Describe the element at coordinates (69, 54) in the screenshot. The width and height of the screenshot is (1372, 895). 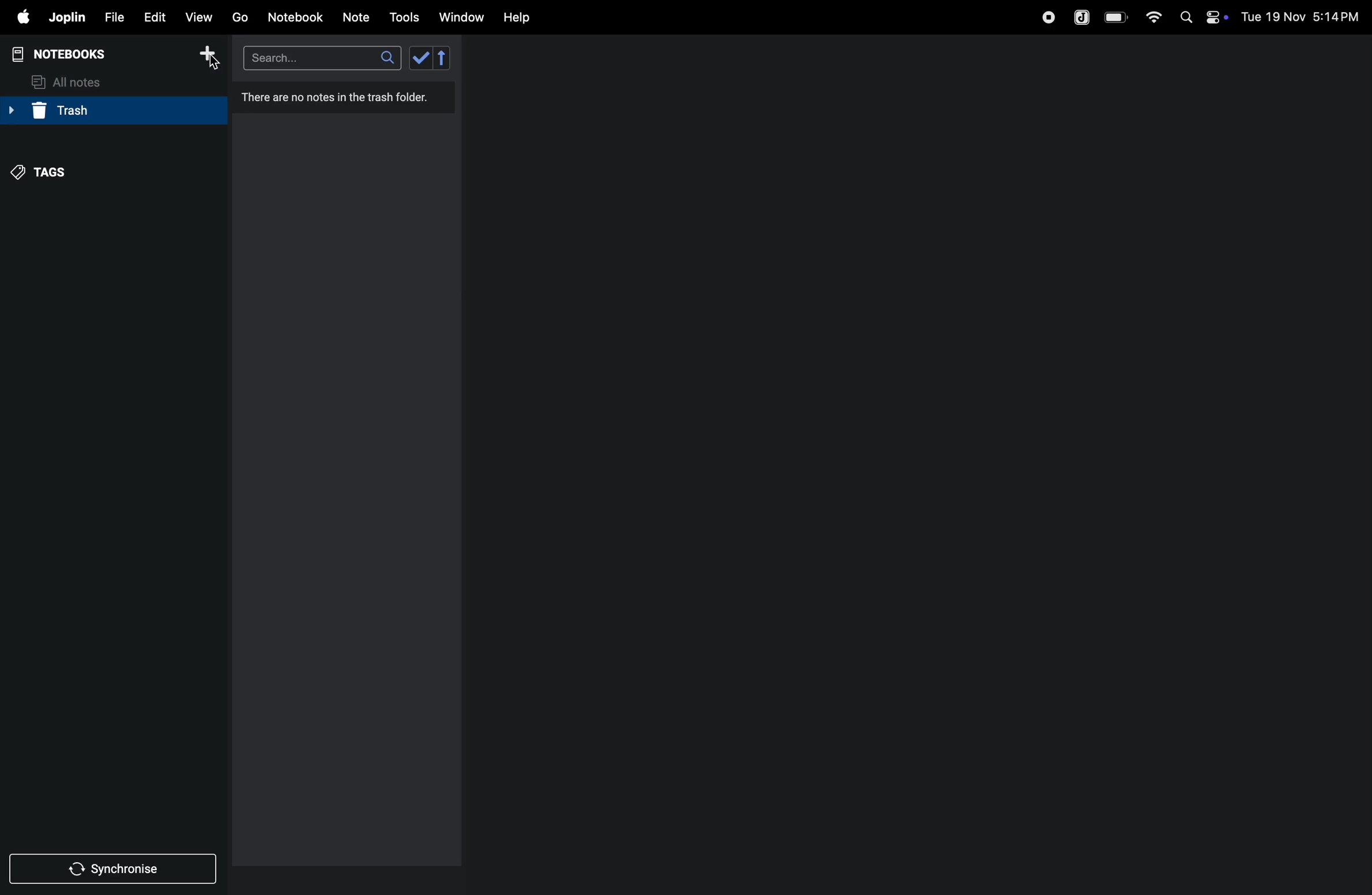
I see `notebooks` at that location.